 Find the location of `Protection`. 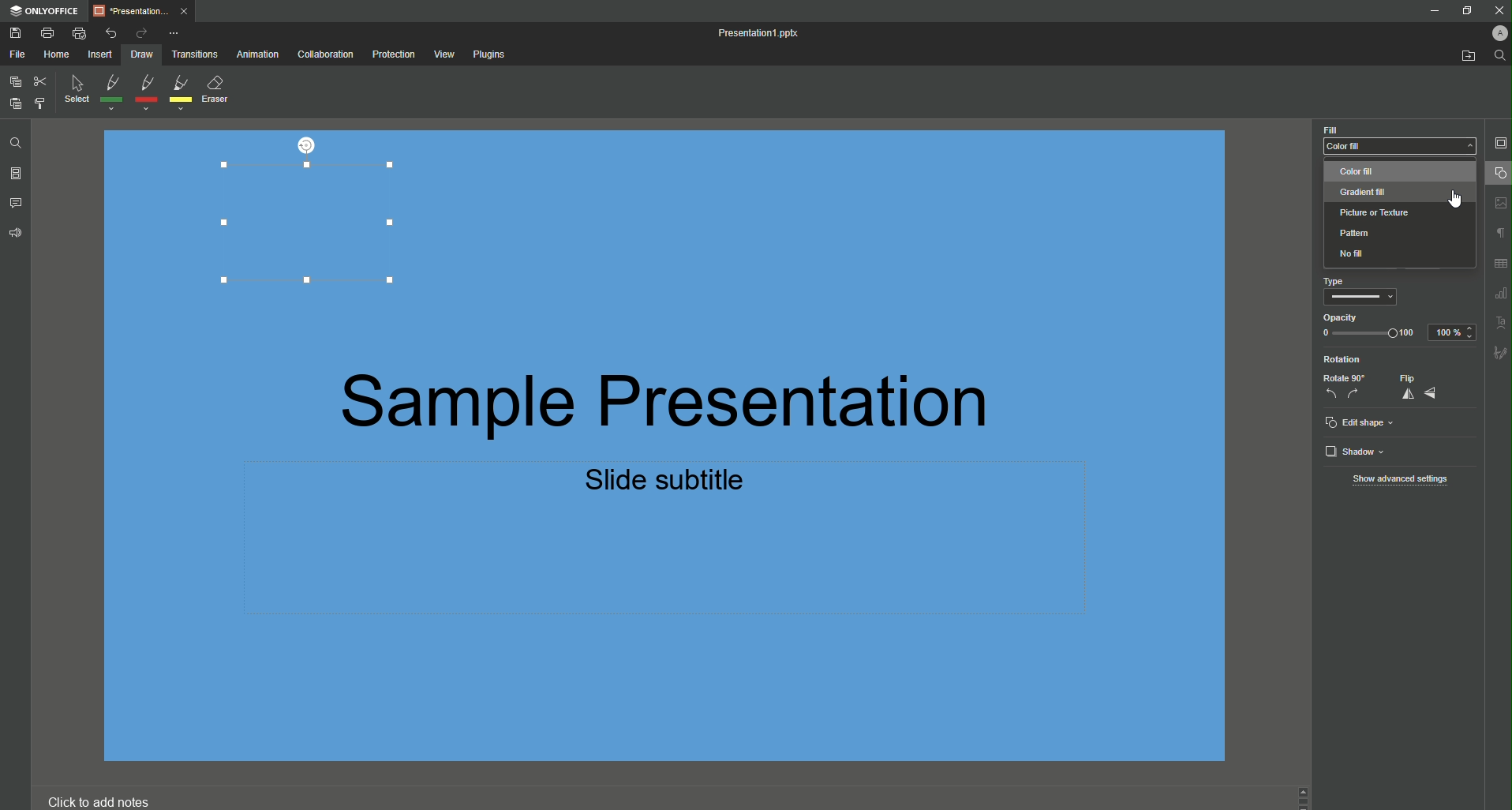

Protection is located at coordinates (391, 55).